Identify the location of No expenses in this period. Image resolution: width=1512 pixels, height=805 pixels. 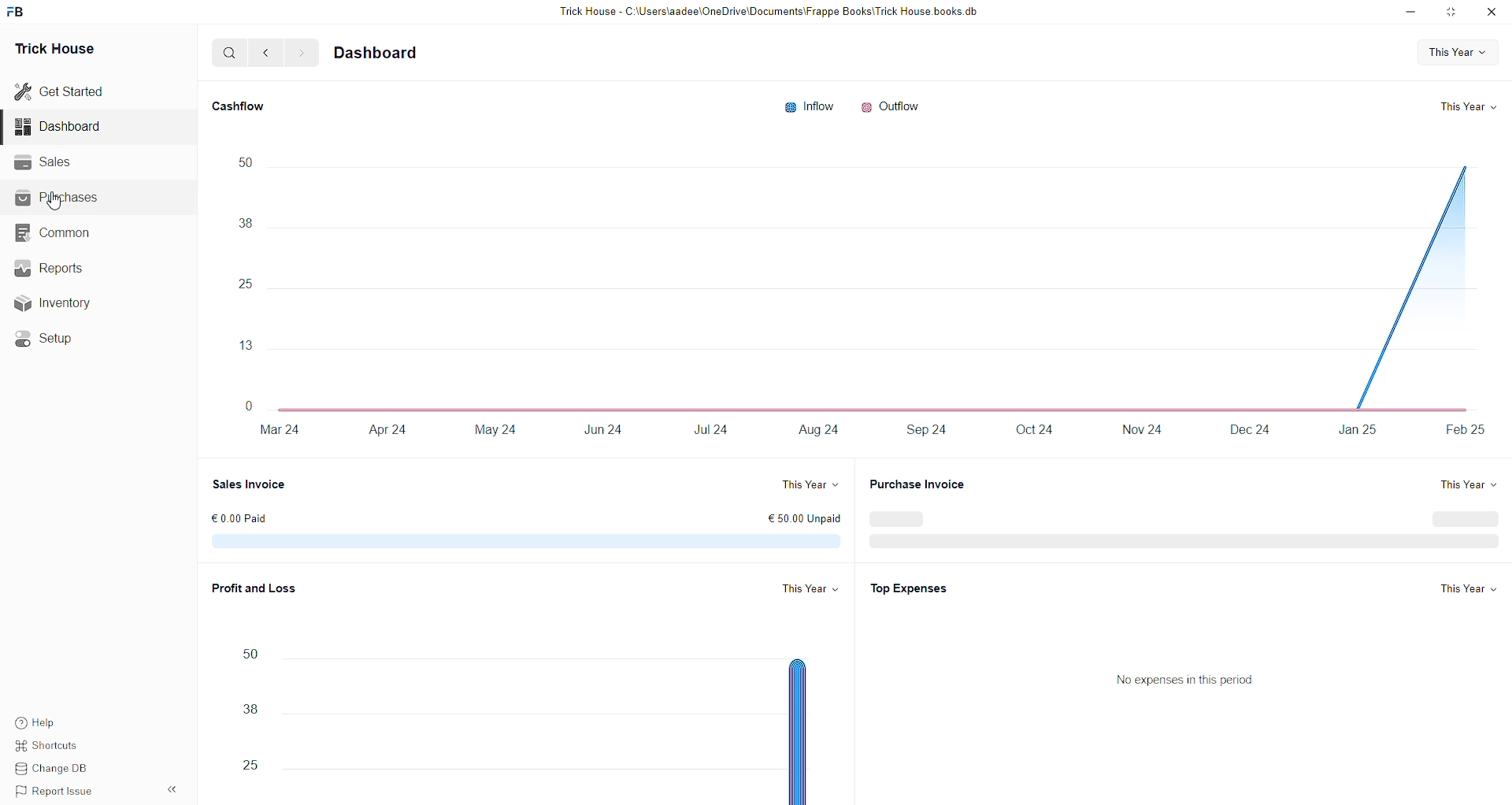
(1186, 678).